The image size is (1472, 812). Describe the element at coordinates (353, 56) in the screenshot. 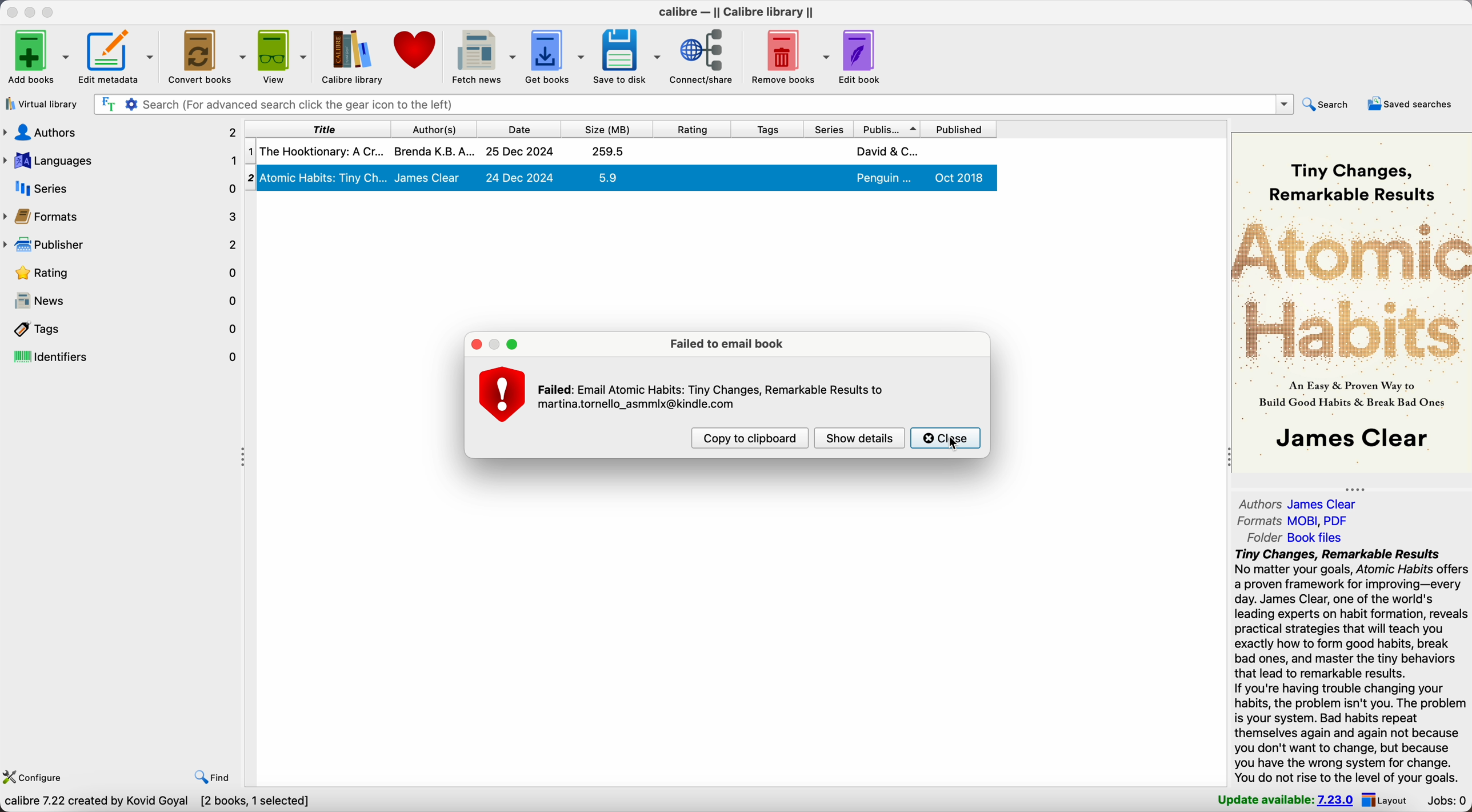

I see `Calibre library` at that location.